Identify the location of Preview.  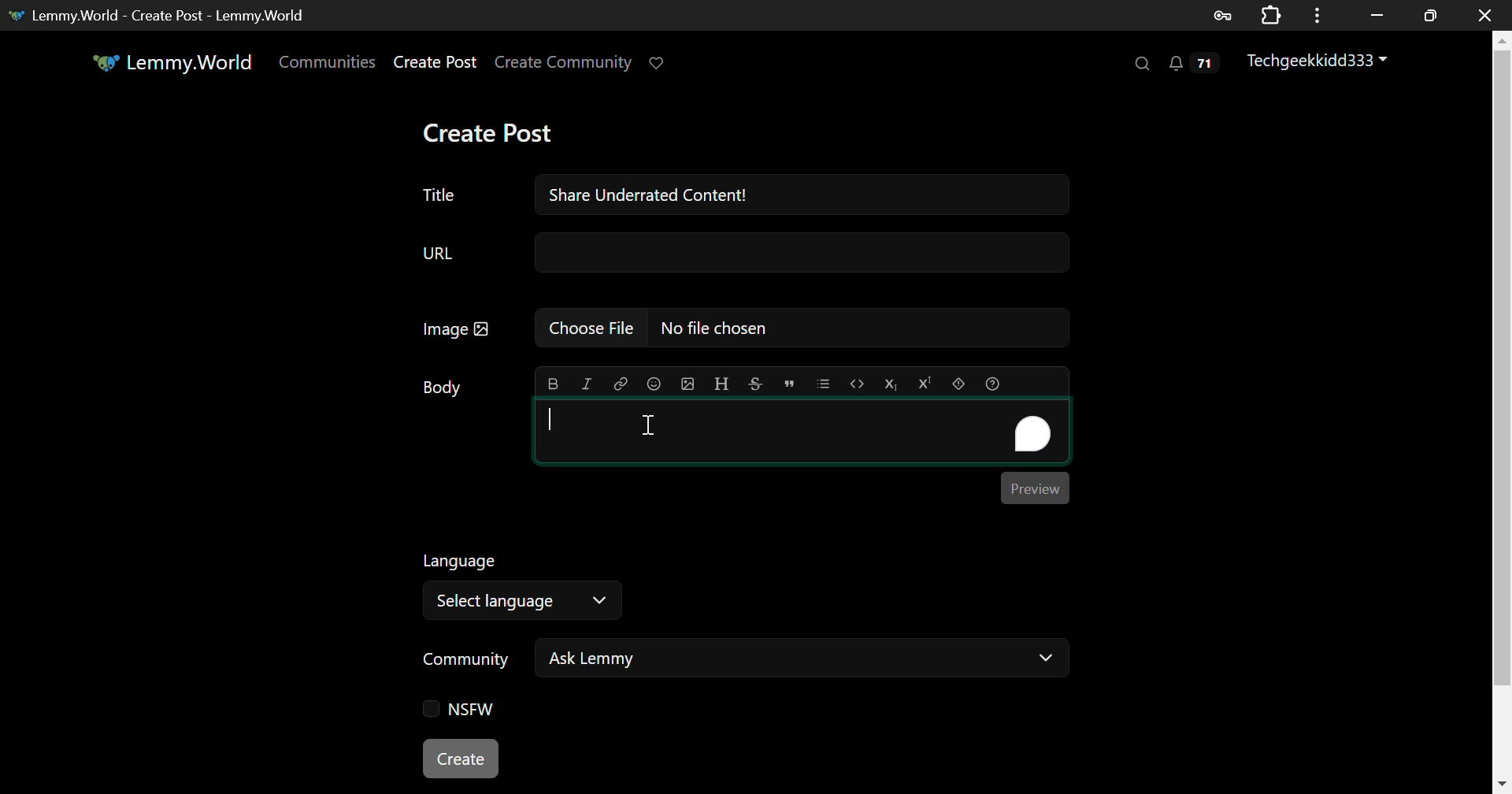
(1036, 488).